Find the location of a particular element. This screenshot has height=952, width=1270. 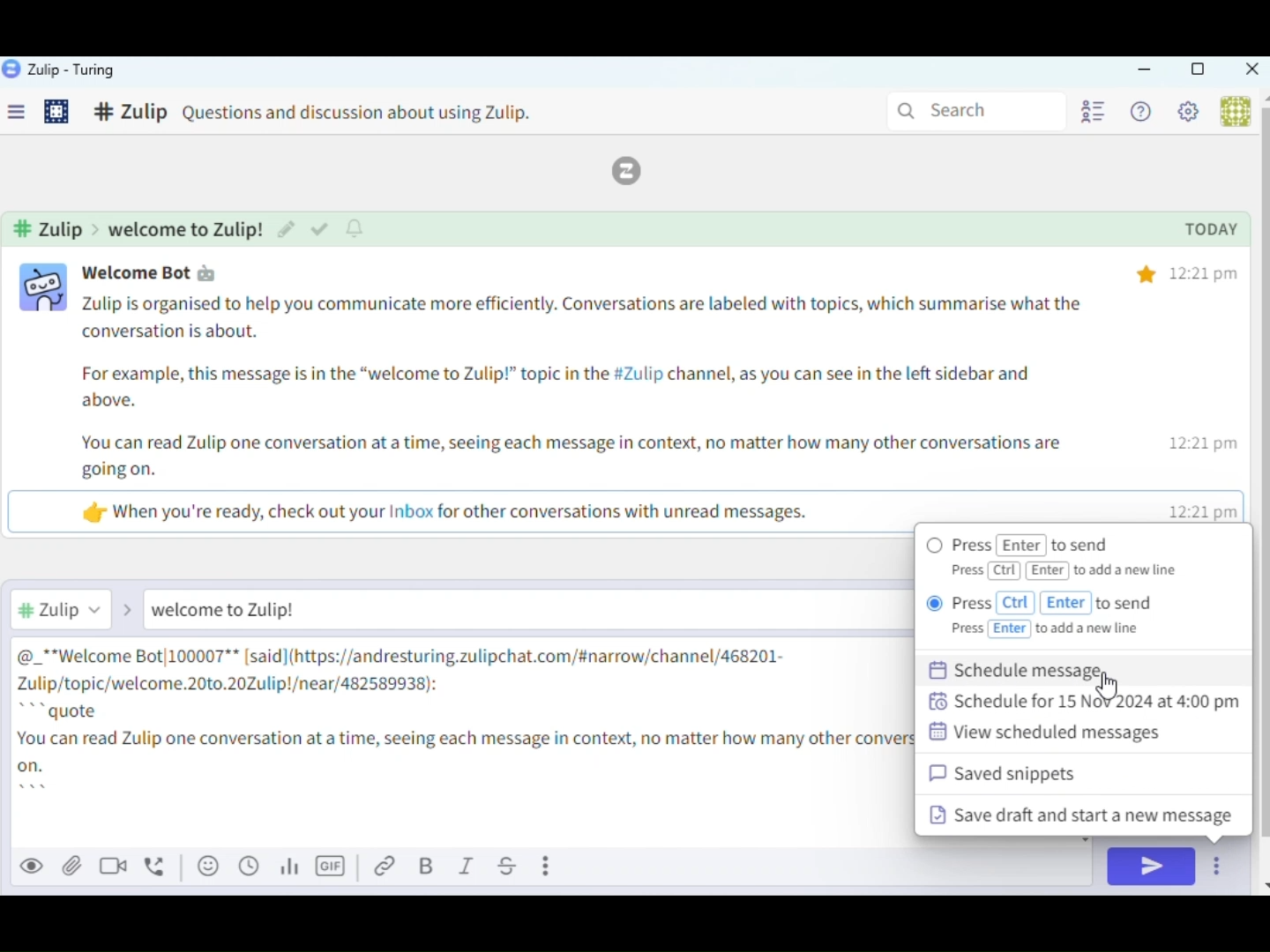

star is located at coordinates (1147, 271).